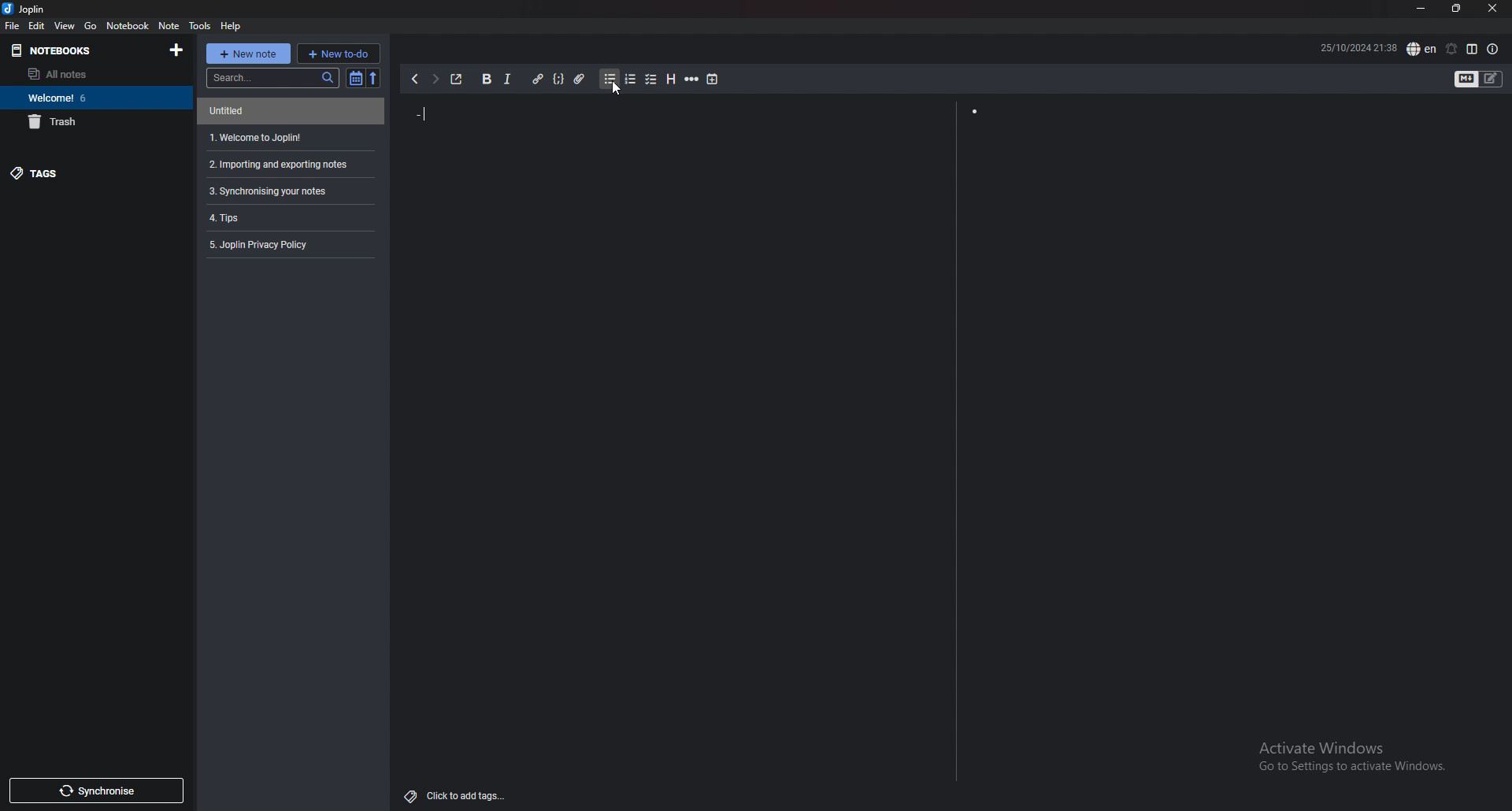 This screenshot has width=1512, height=811. Describe the element at coordinates (88, 25) in the screenshot. I see `Go` at that location.